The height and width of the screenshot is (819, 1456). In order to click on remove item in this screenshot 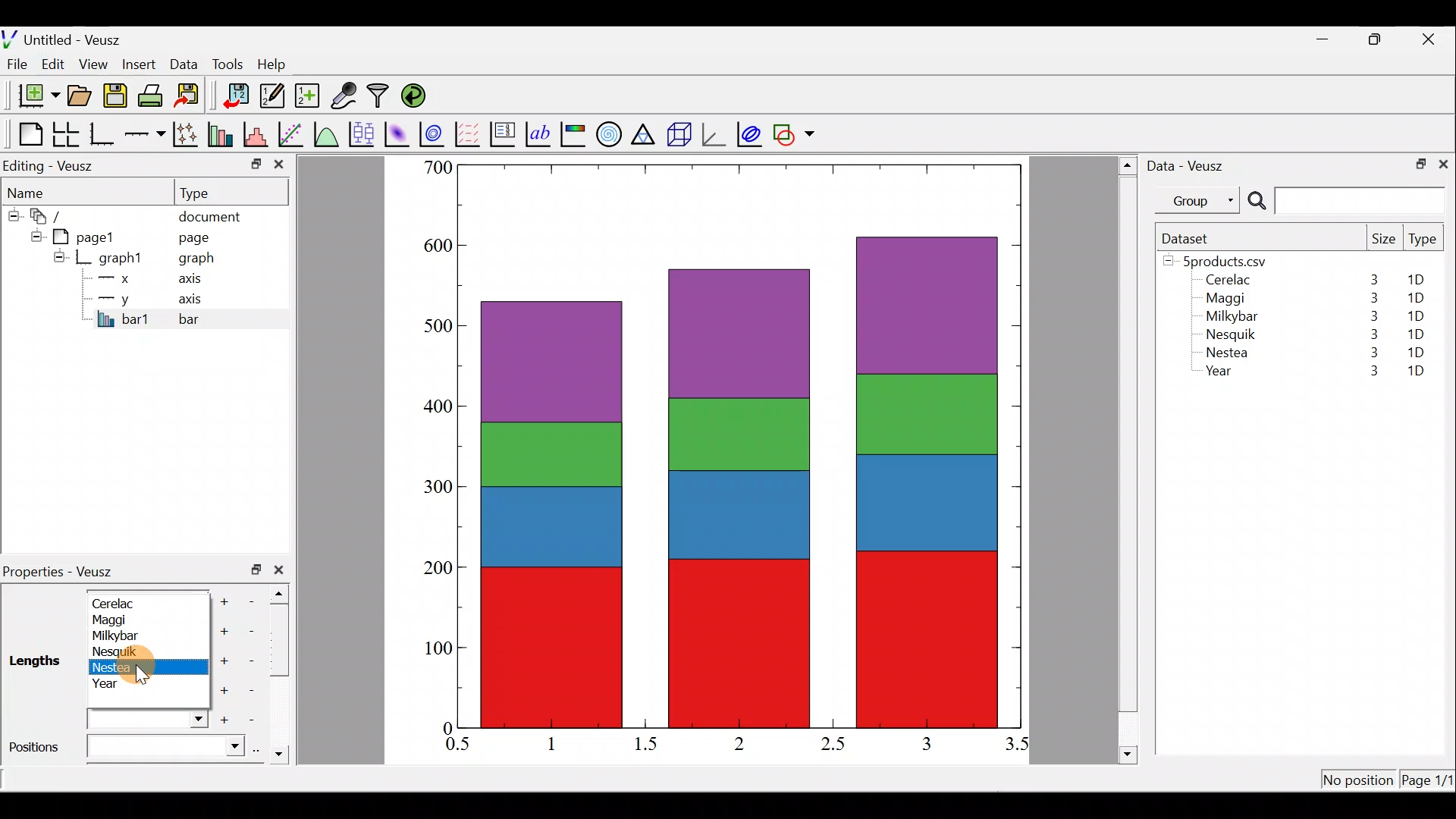, I will do `click(250, 631)`.